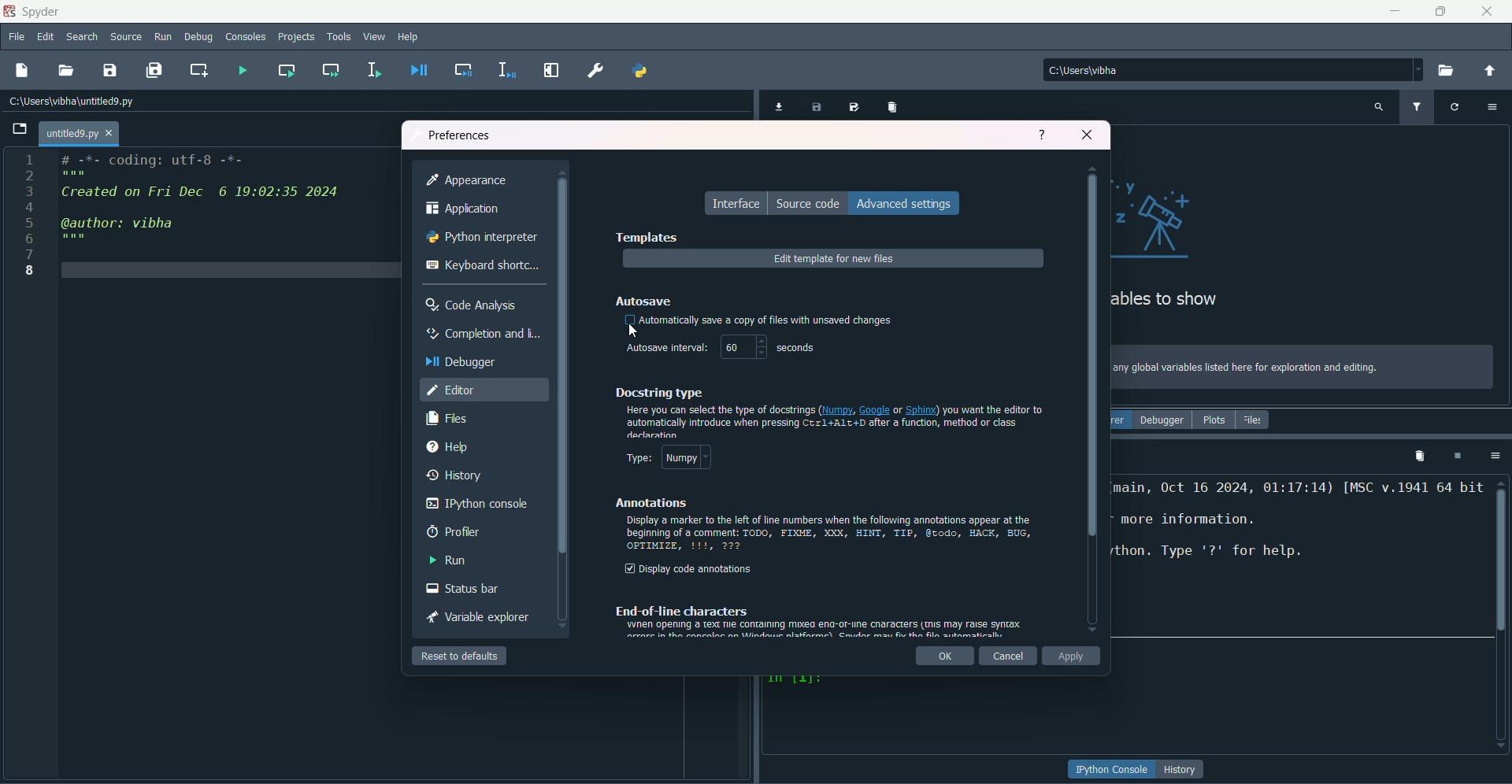 The height and width of the screenshot is (784, 1512). What do you see at coordinates (460, 590) in the screenshot?
I see `status bar` at bounding box center [460, 590].